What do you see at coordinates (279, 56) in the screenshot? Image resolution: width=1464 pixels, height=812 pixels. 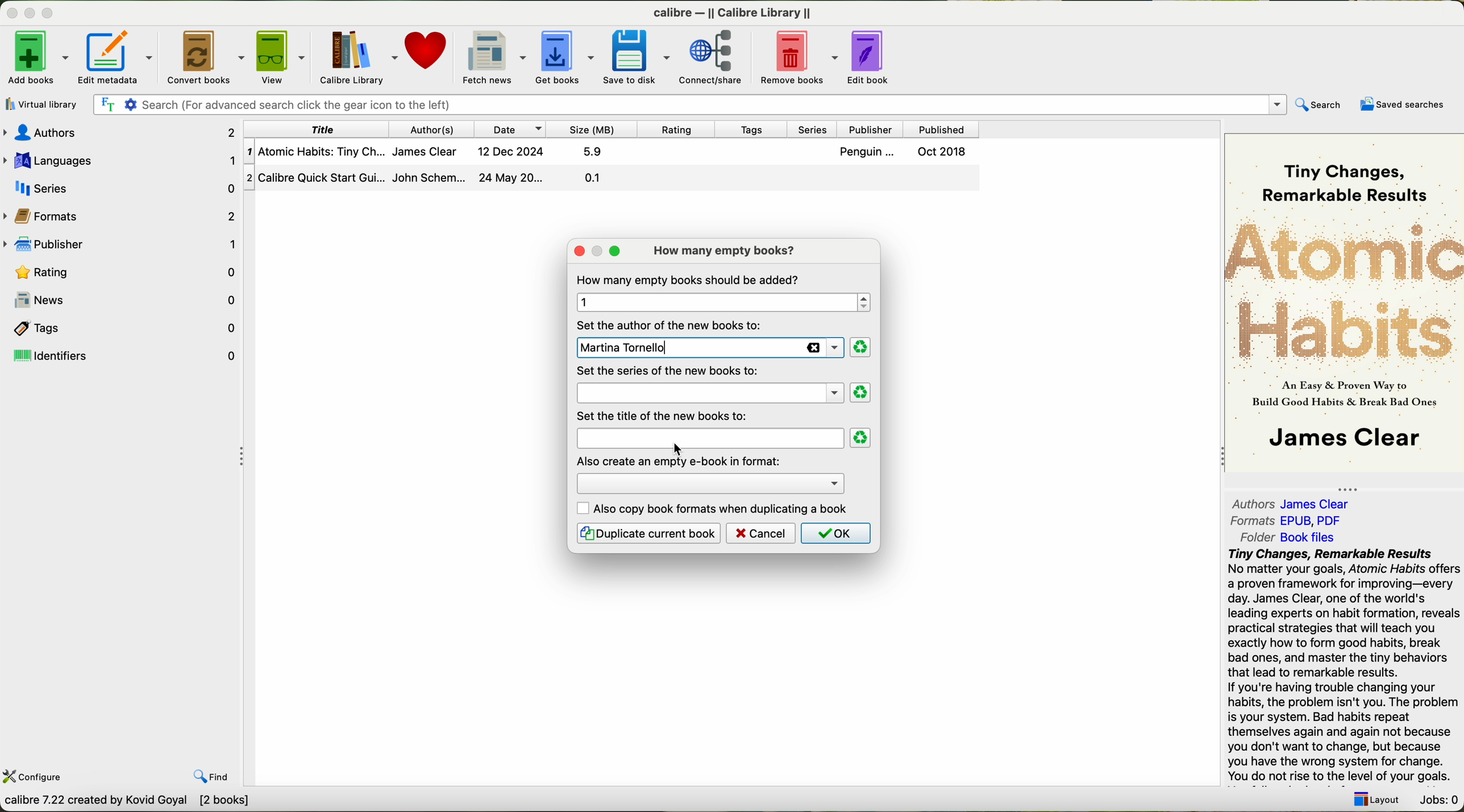 I see `view` at bounding box center [279, 56].